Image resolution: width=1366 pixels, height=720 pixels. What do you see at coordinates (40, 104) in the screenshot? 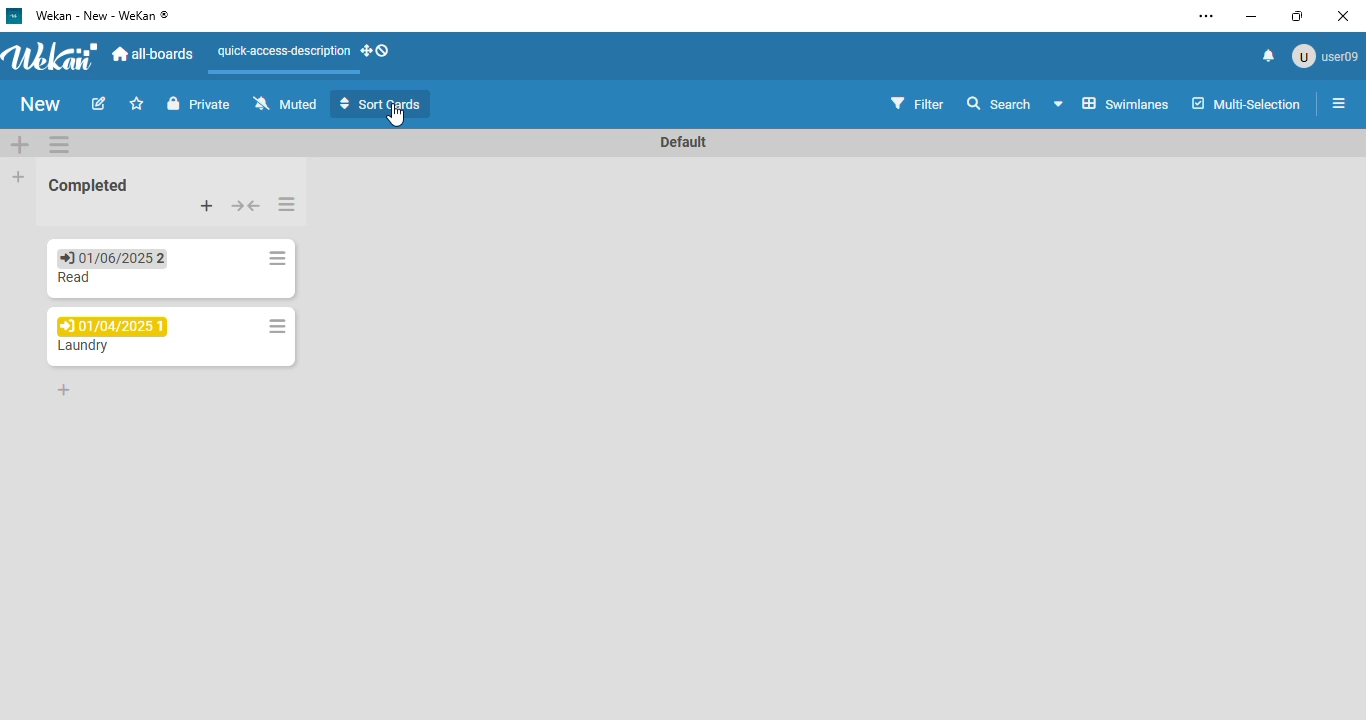
I see `New` at bounding box center [40, 104].